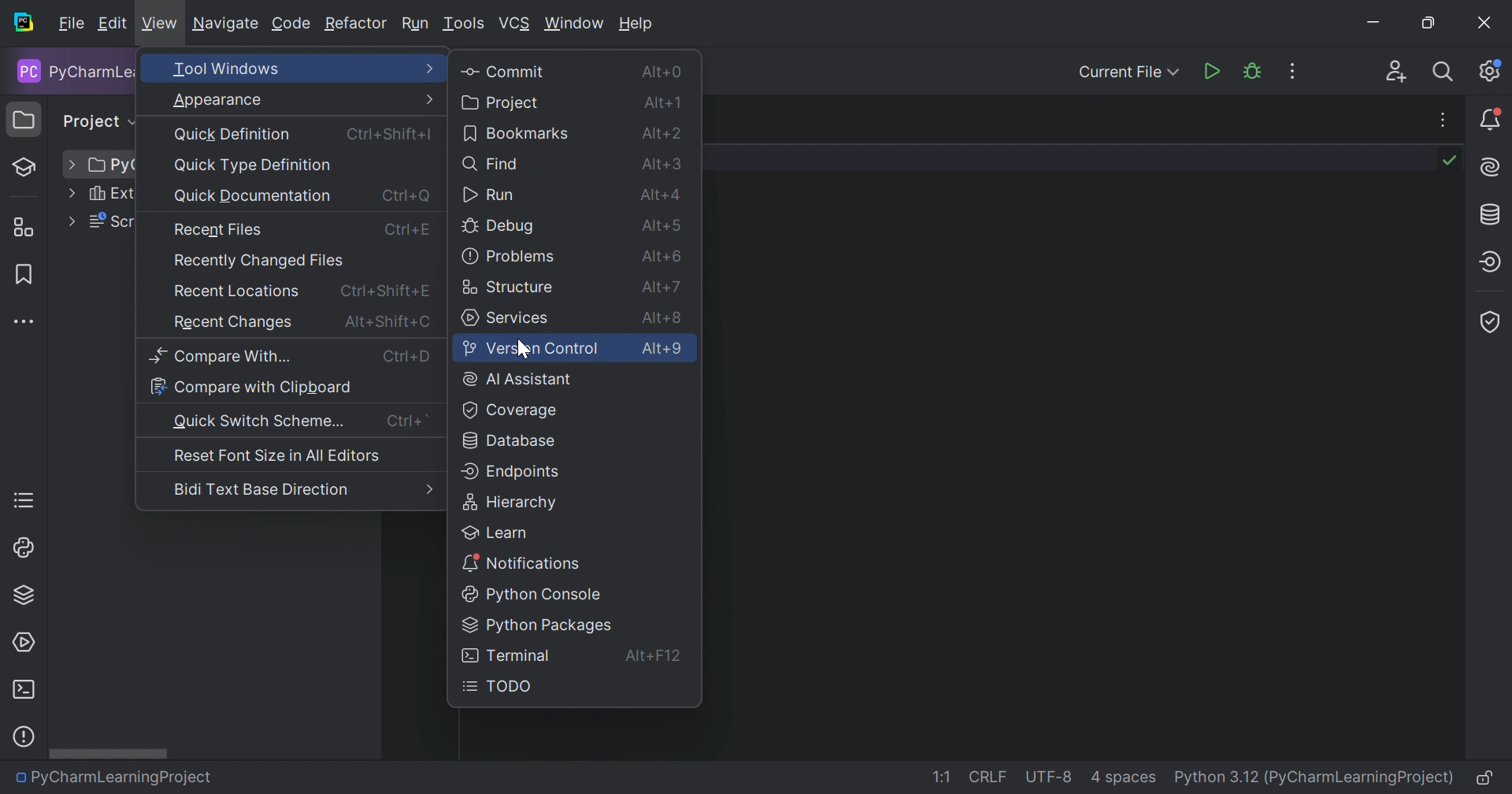 This screenshot has width=1512, height=794. Describe the element at coordinates (235, 135) in the screenshot. I see `Quick Definition` at that location.